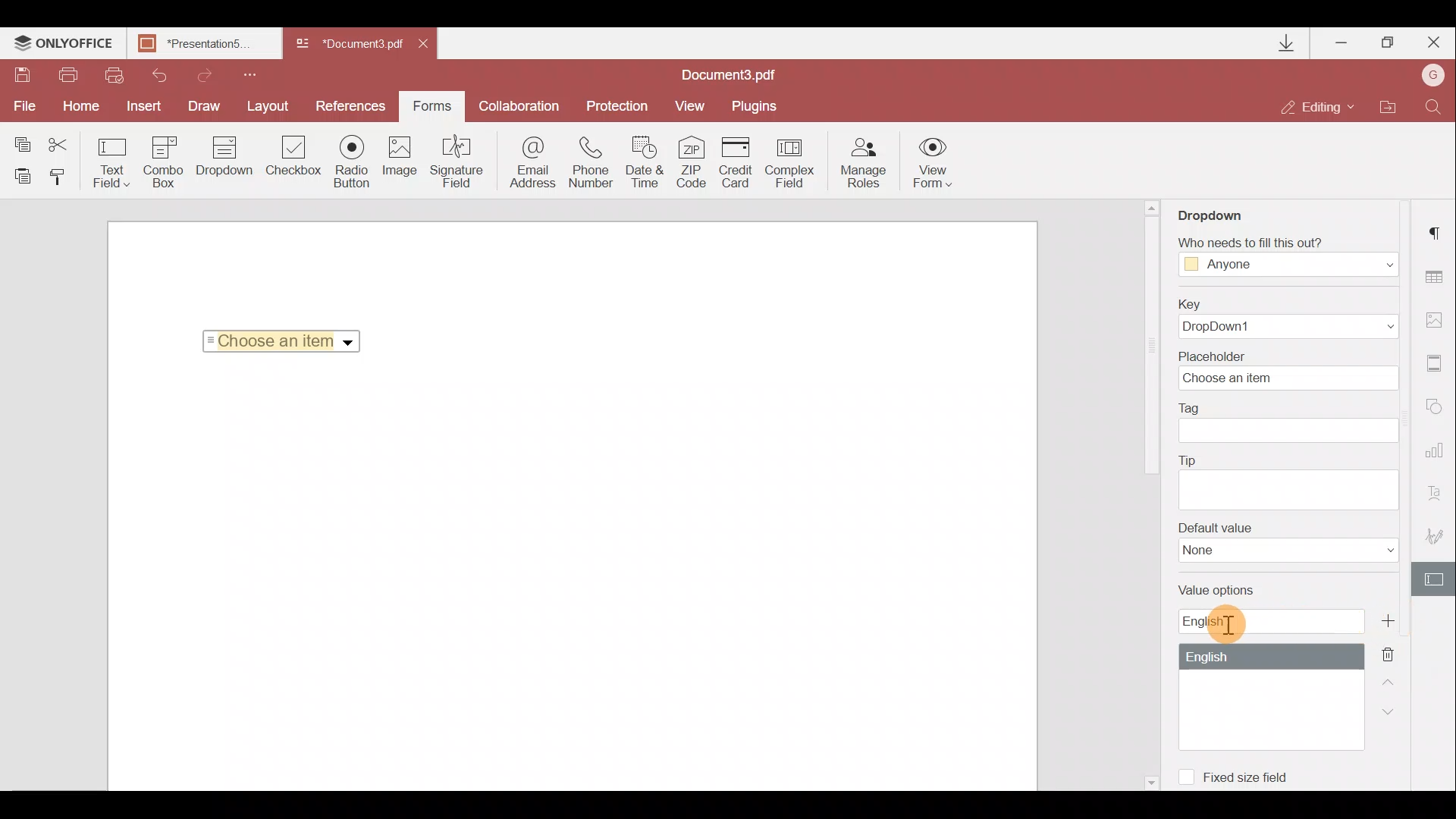  What do you see at coordinates (1397, 653) in the screenshot?
I see `Delete` at bounding box center [1397, 653].